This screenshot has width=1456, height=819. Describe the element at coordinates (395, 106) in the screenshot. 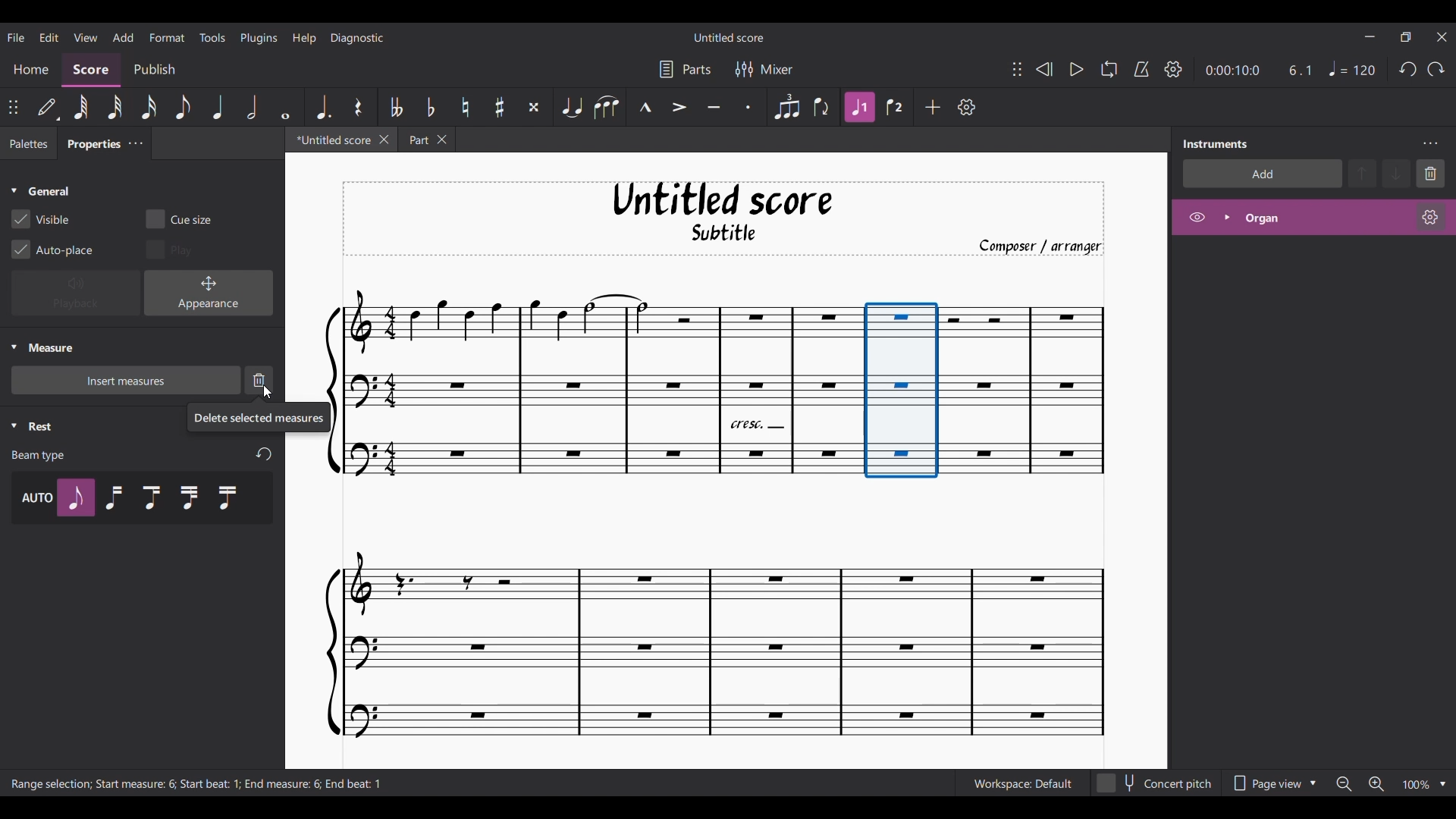

I see `Toggle double flat` at that location.